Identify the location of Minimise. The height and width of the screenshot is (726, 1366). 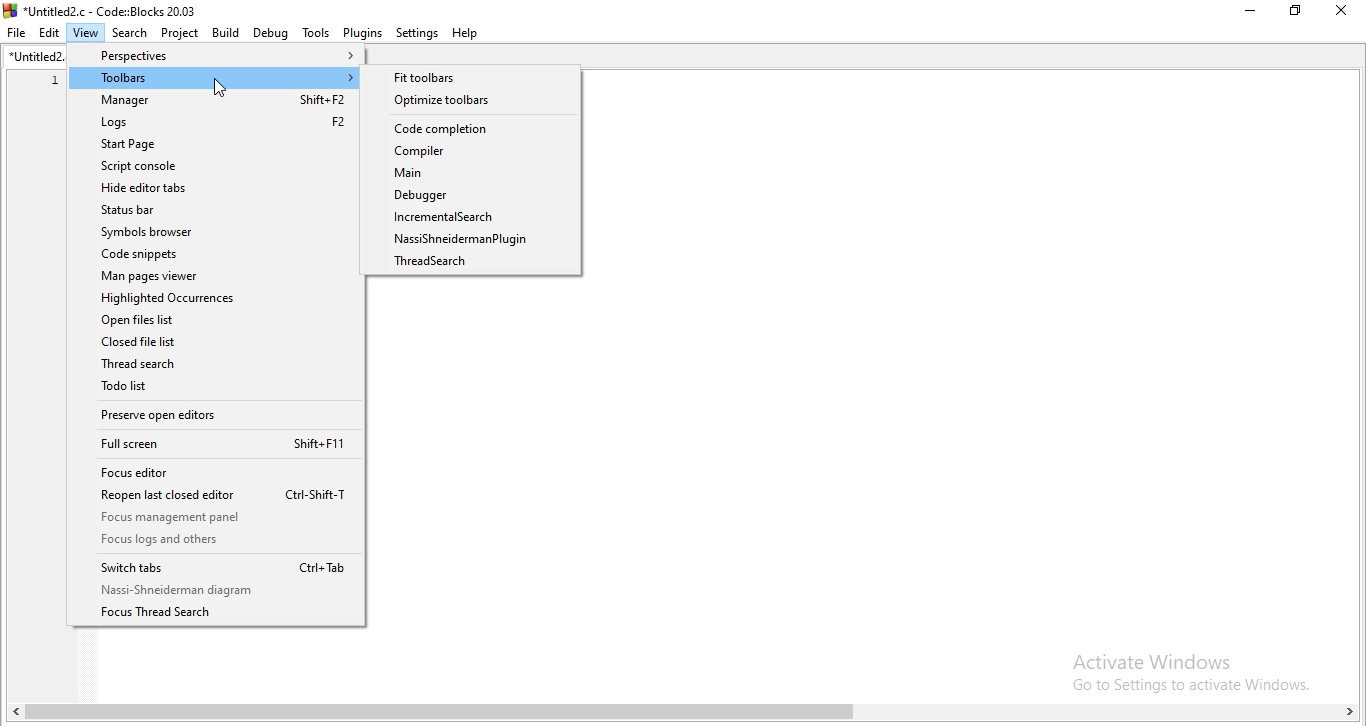
(1249, 11).